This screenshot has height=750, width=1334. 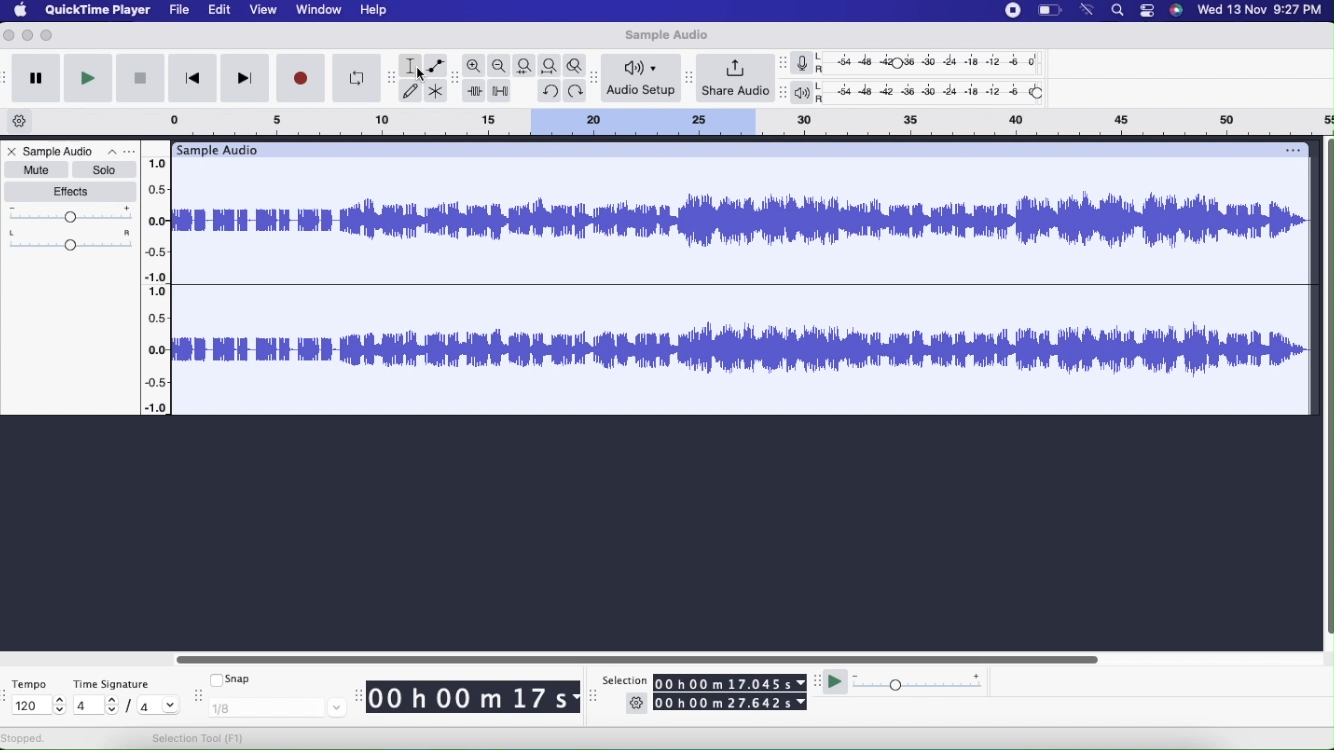 What do you see at coordinates (920, 684) in the screenshot?
I see `Playback speed` at bounding box center [920, 684].